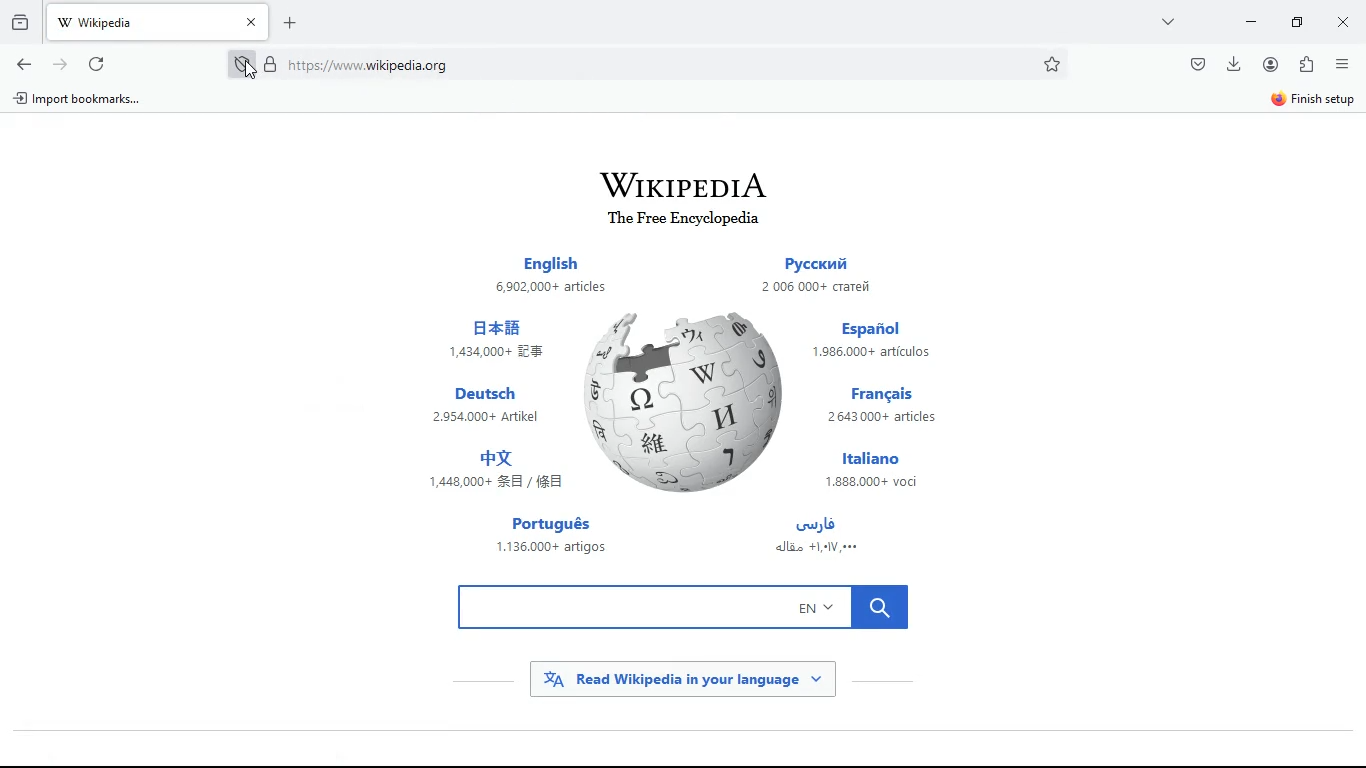 Image resolution: width=1366 pixels, height=768 pixels. What do you see at coordinates (1232, 66) in the screenshot?
I see `download` at bounding box center [1232, 66].